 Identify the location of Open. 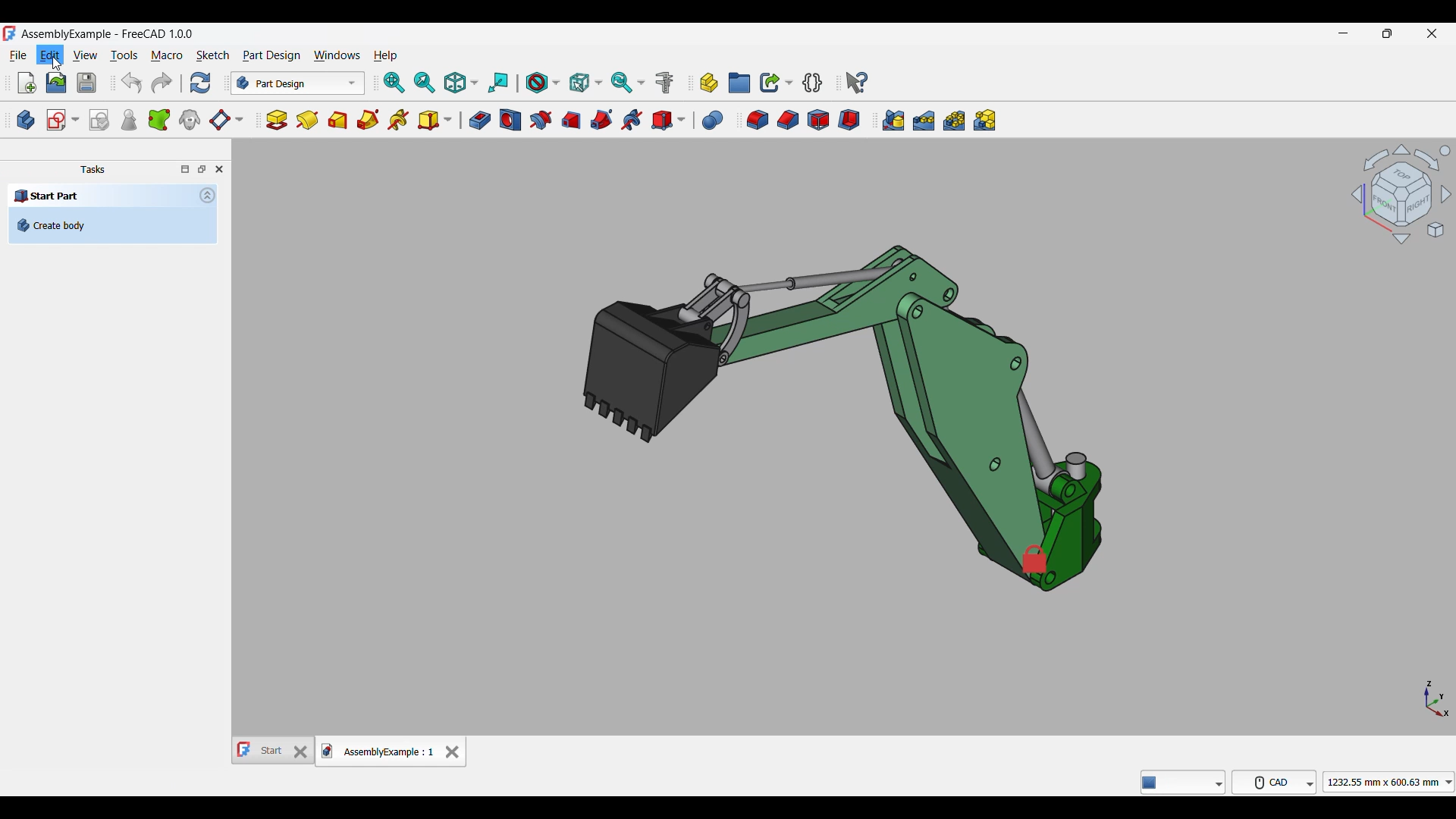
(56, 83).